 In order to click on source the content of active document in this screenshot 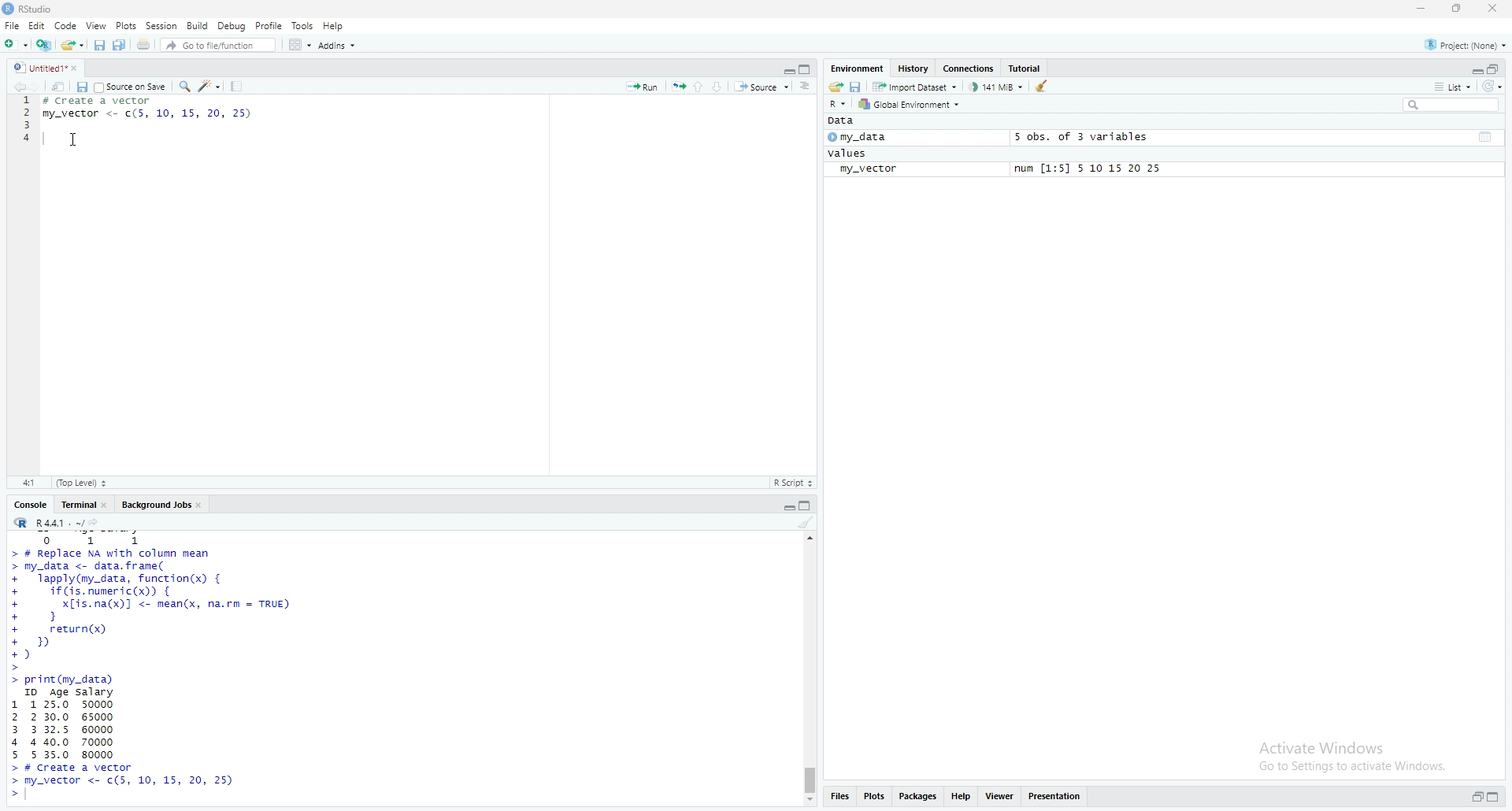, I will do `click(764, 87)`.